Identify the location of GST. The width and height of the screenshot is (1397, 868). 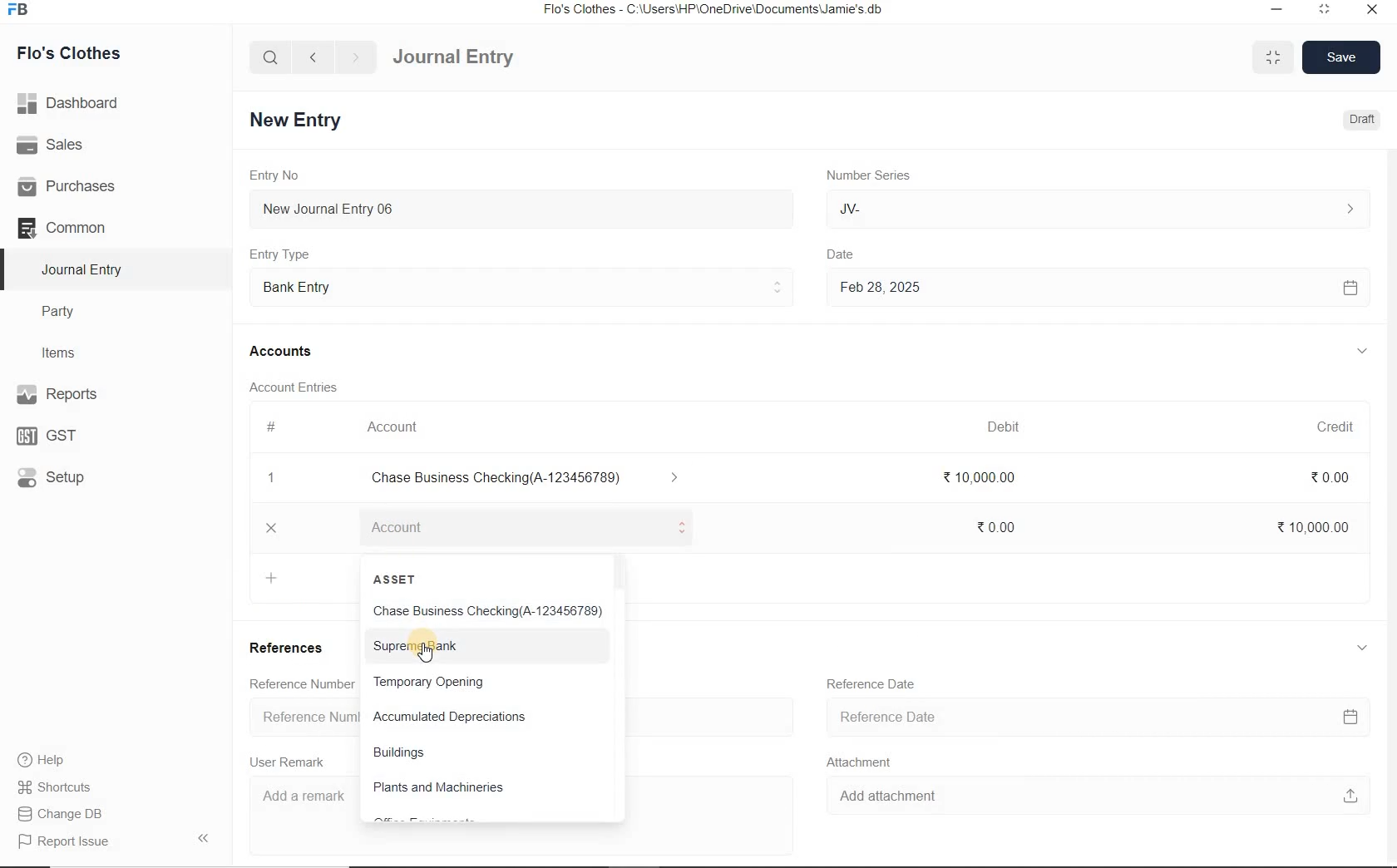
(54, 434).